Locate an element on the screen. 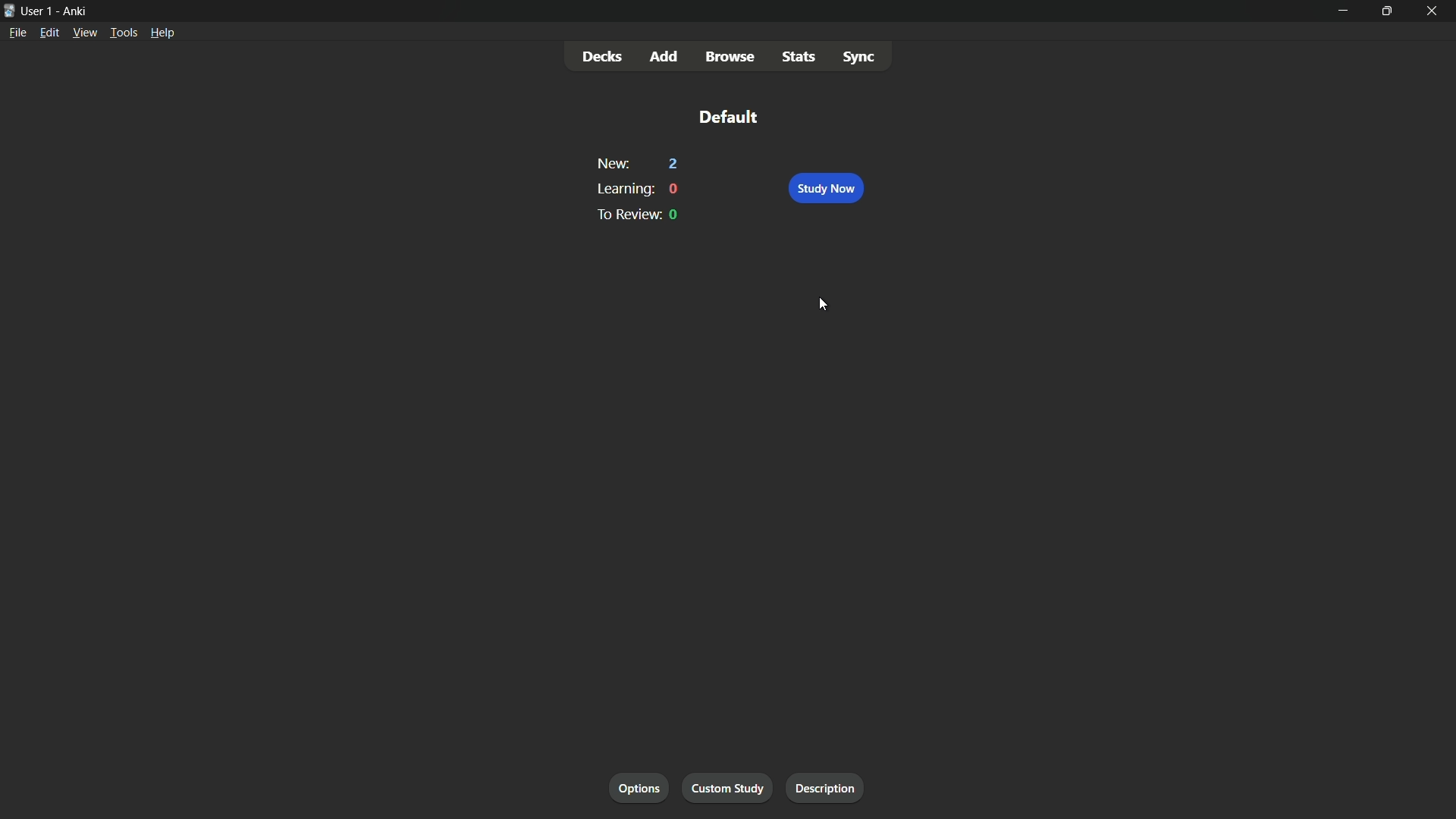 This screenshot has width=1456, height=819. 0 is located at coordinates (675, 190).